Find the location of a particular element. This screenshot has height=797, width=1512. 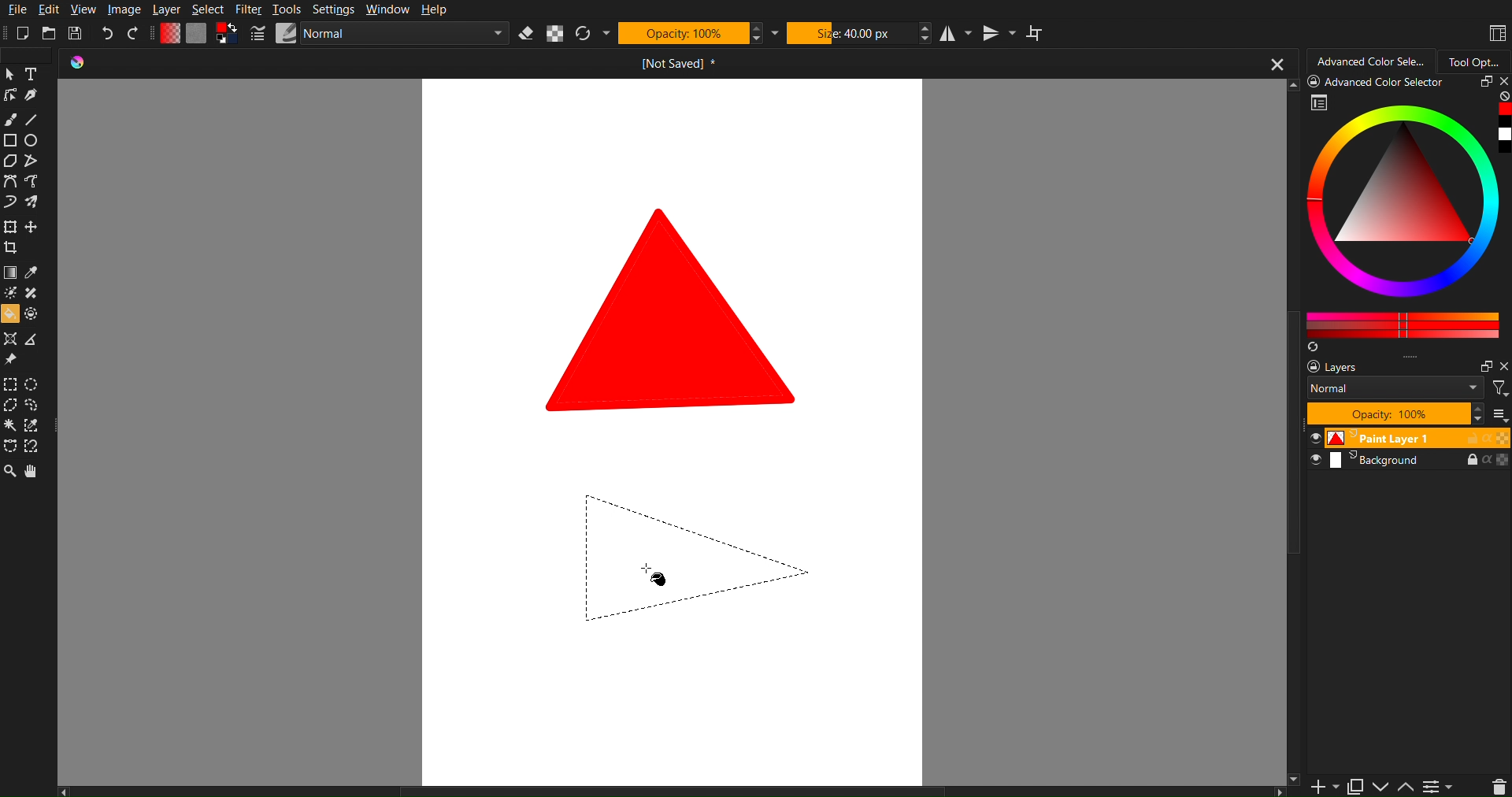

Circle is located at coordinates (33, 141).